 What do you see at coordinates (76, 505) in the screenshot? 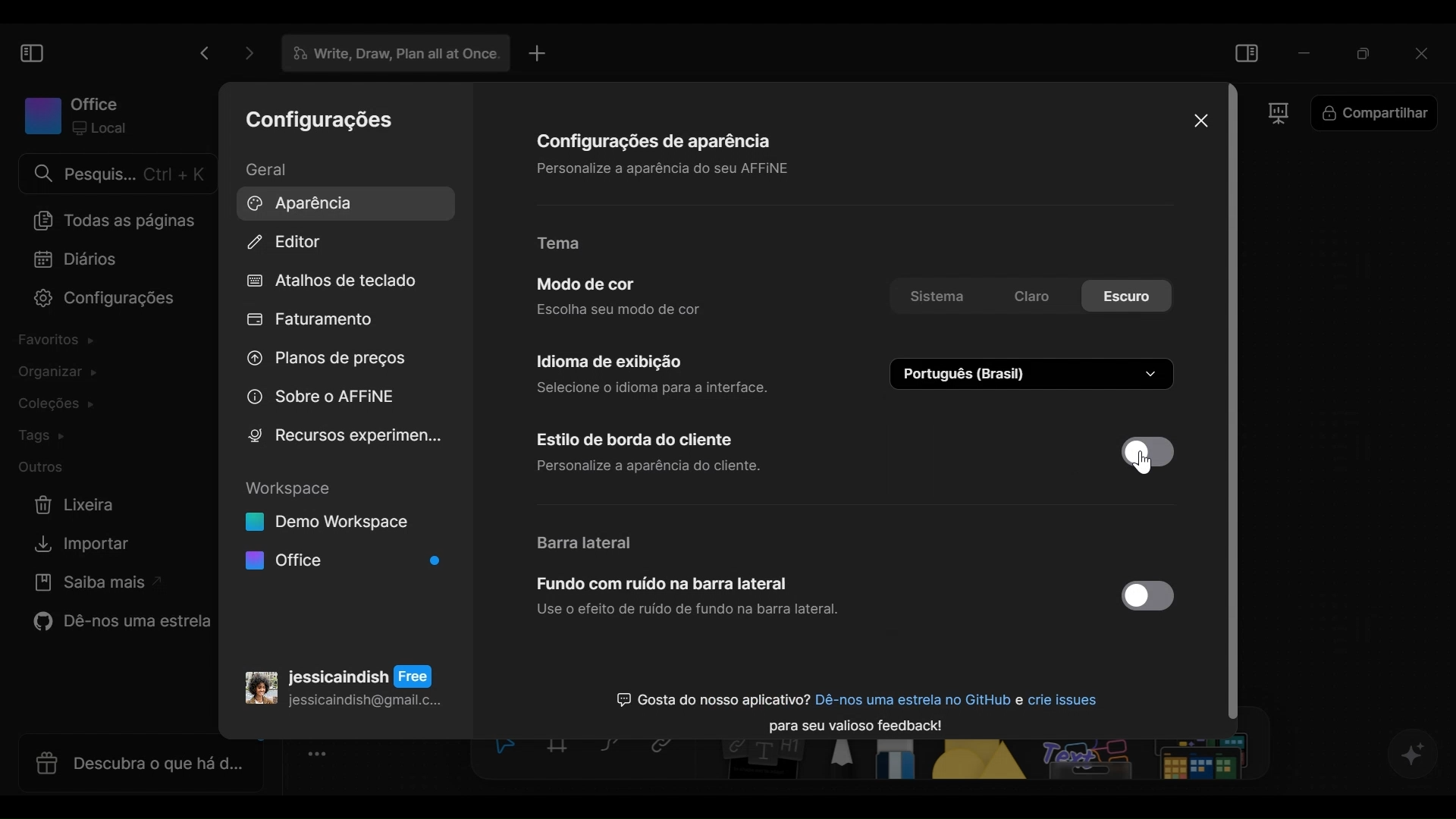
I see `Trash` at bounding box center [76, 505].